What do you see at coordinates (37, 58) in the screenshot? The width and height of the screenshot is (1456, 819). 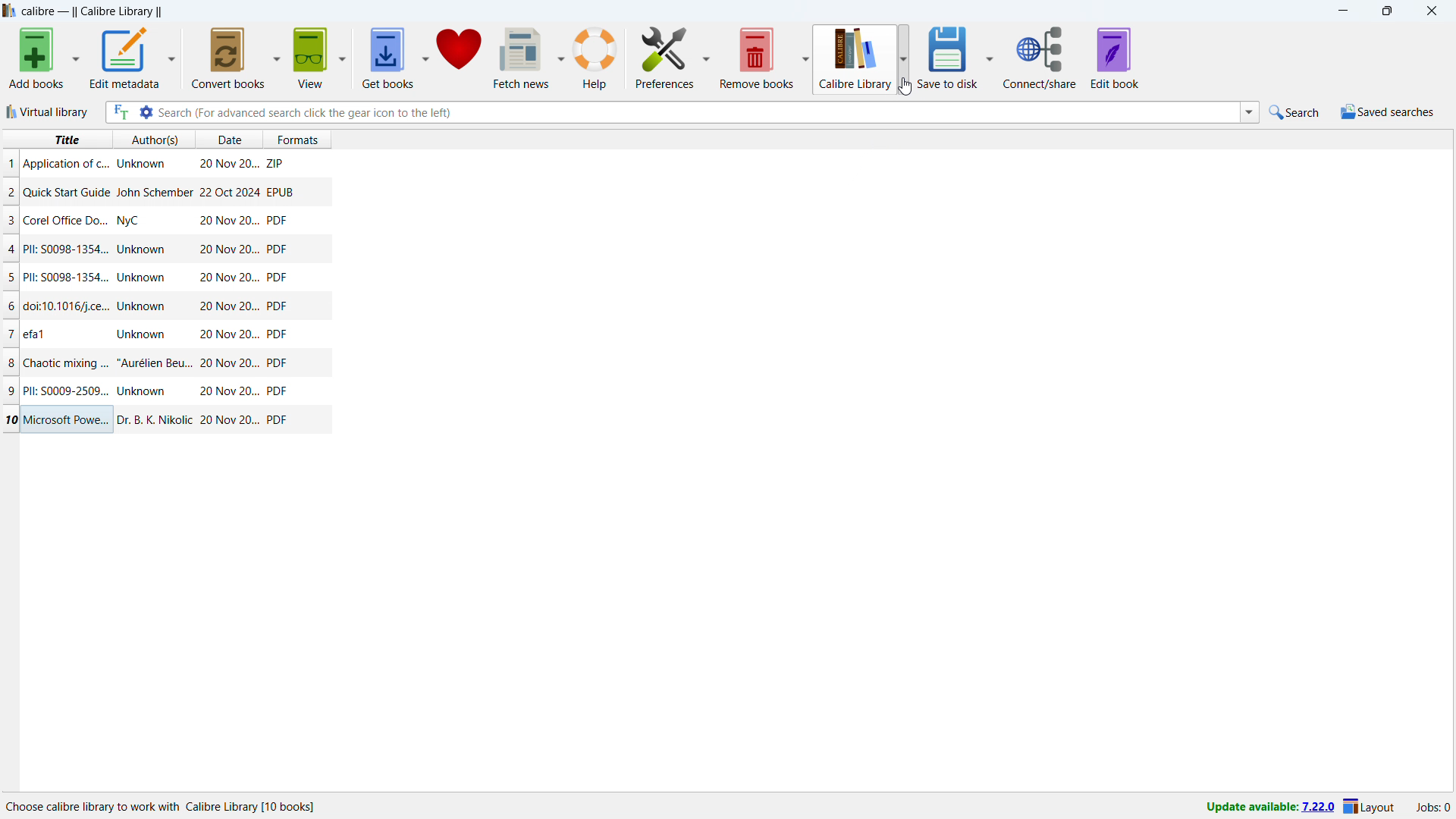 I see `add books` at bounding box center [37, 58].